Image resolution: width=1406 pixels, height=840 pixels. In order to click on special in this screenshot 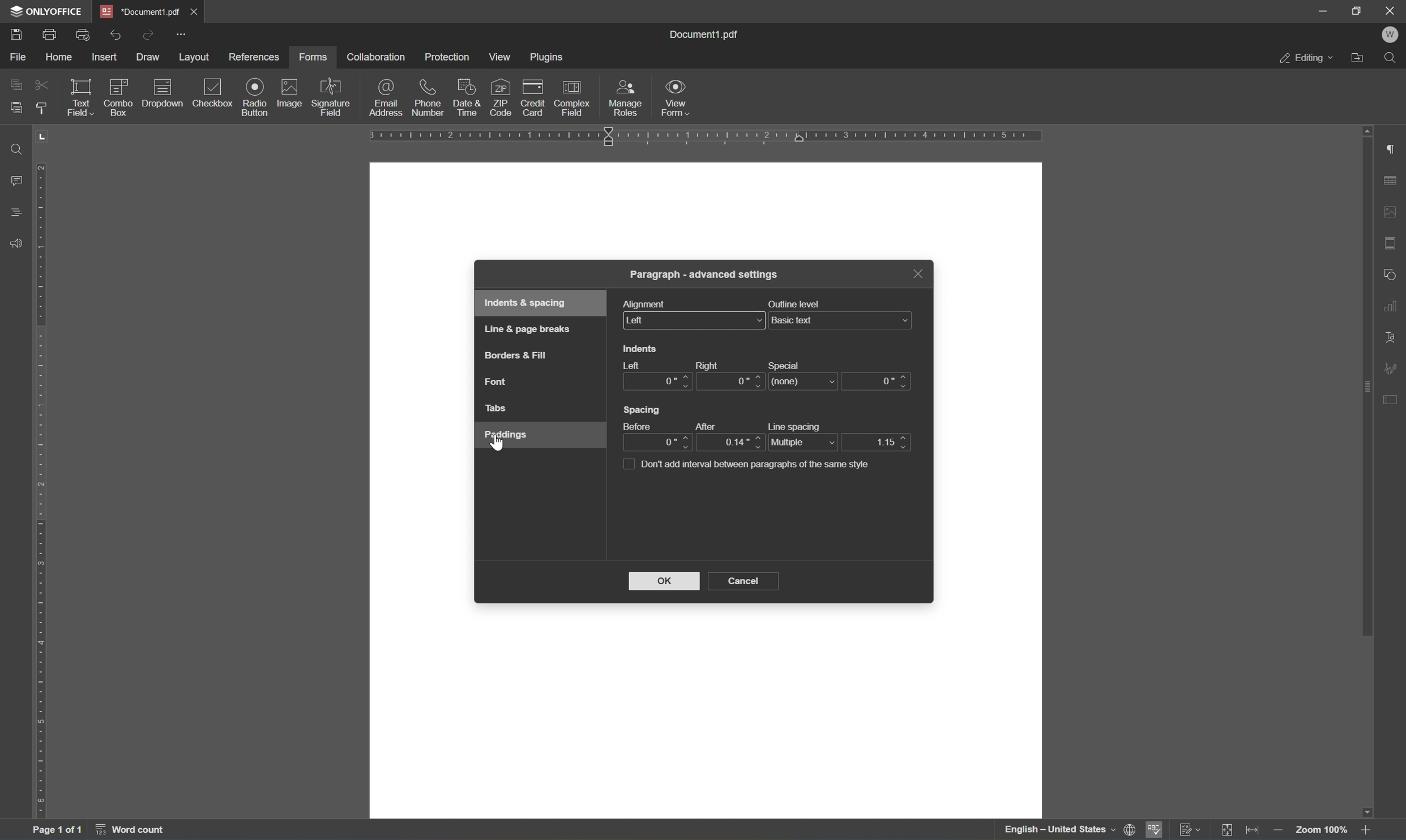, I will do `click(786, 362)`.